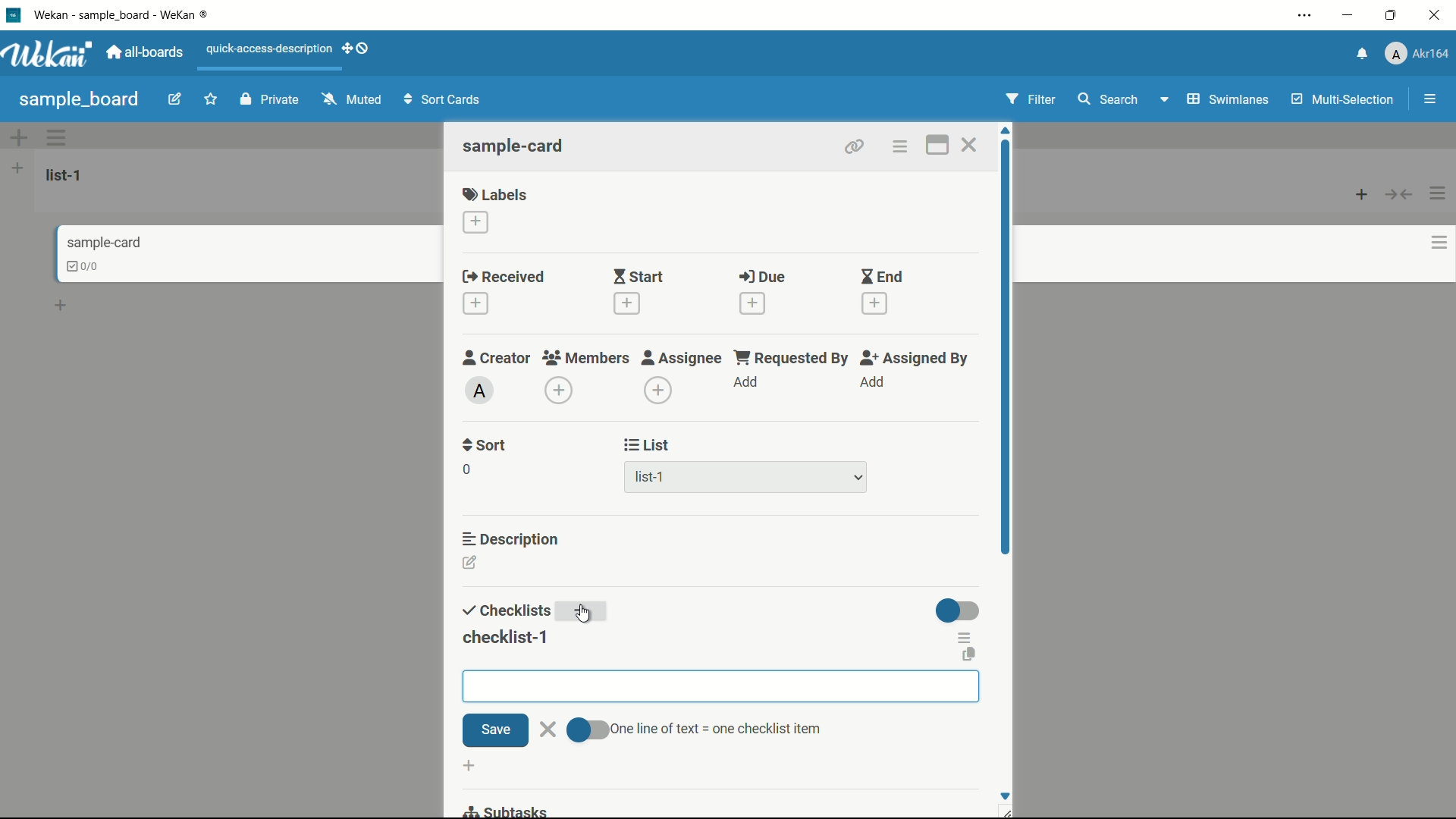 The width and height of the screenshot is (1456, 819). What do you see at coordinates (477, 223) in the screenshot?
I see `add label` at bounding box center [477, 223].